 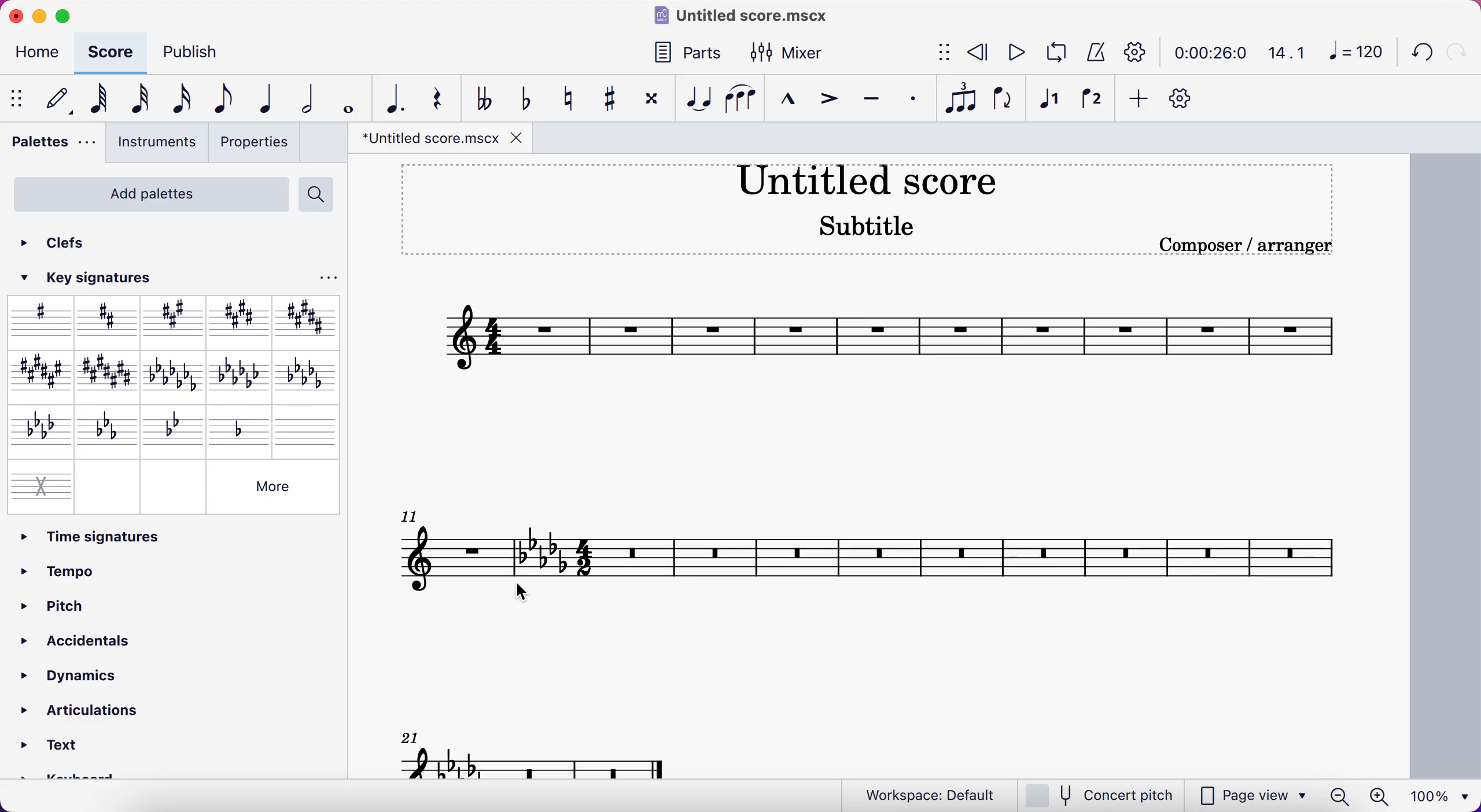 I want to click on tenuto, so click(x=875, y=104).